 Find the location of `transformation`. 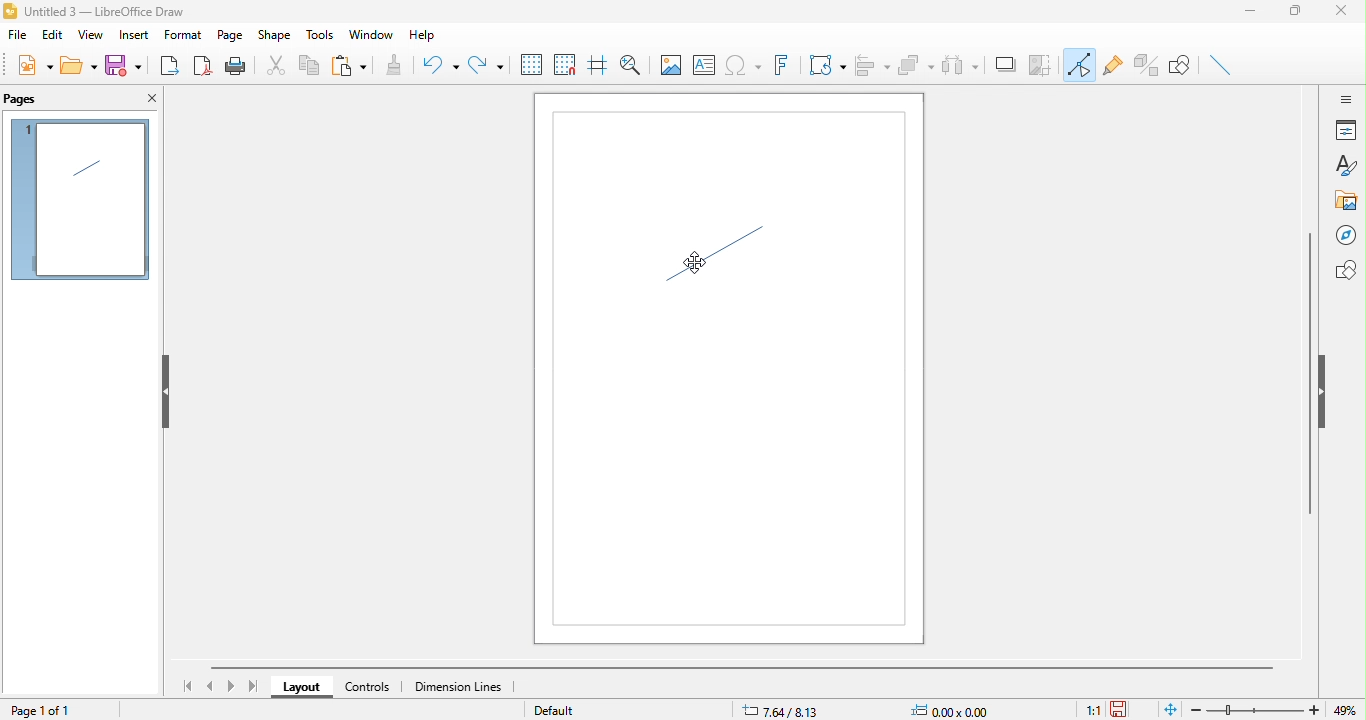

transformation is located at coordinates (827, 65).